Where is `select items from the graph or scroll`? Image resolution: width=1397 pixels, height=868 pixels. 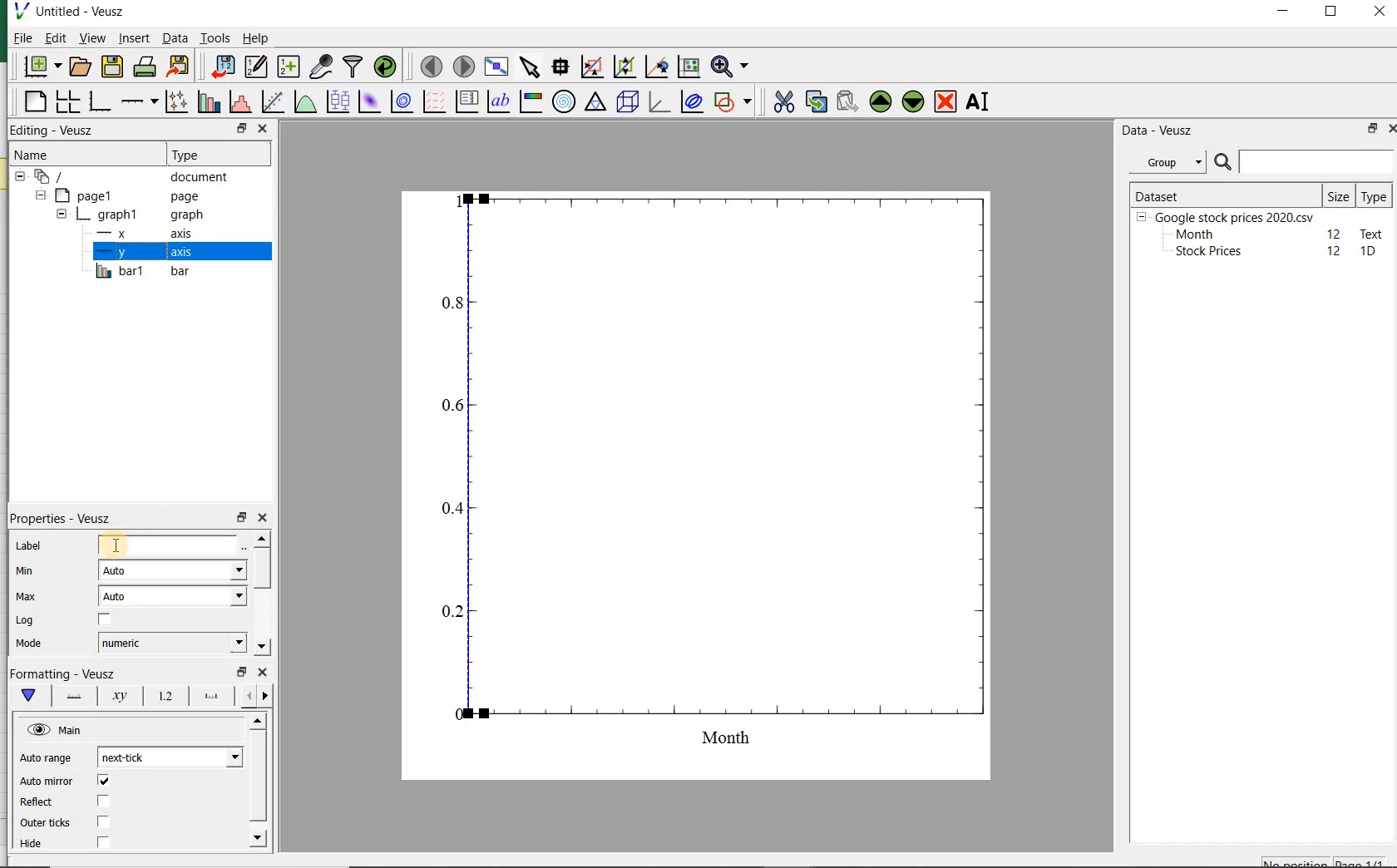
select items from the graph or scroll is located at coordinates (529, 67).